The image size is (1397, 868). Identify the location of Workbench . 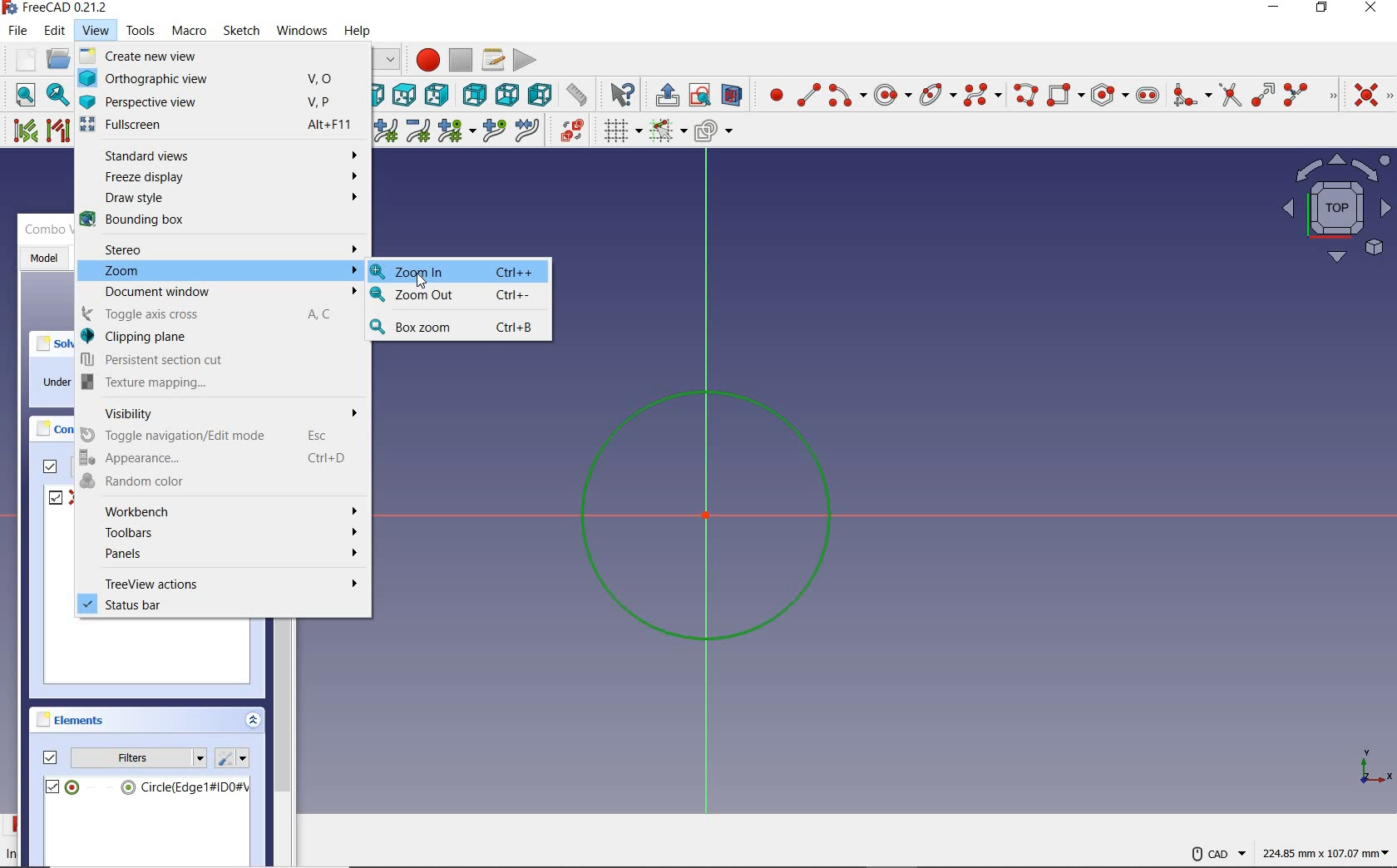
(224, 511).